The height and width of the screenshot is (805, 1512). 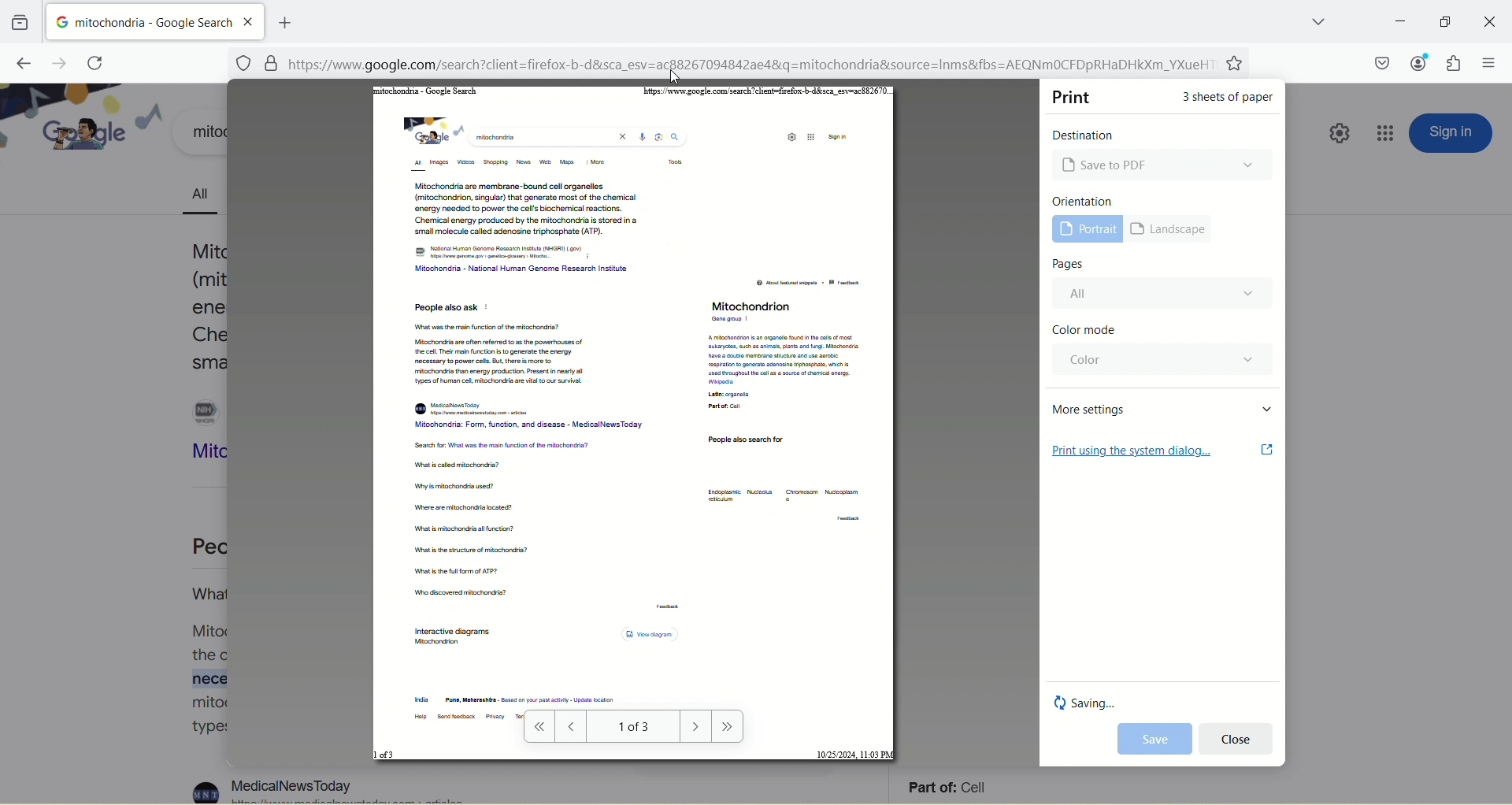 I want to click on Microsoft print to PDF, so click(x=1164, y=164).